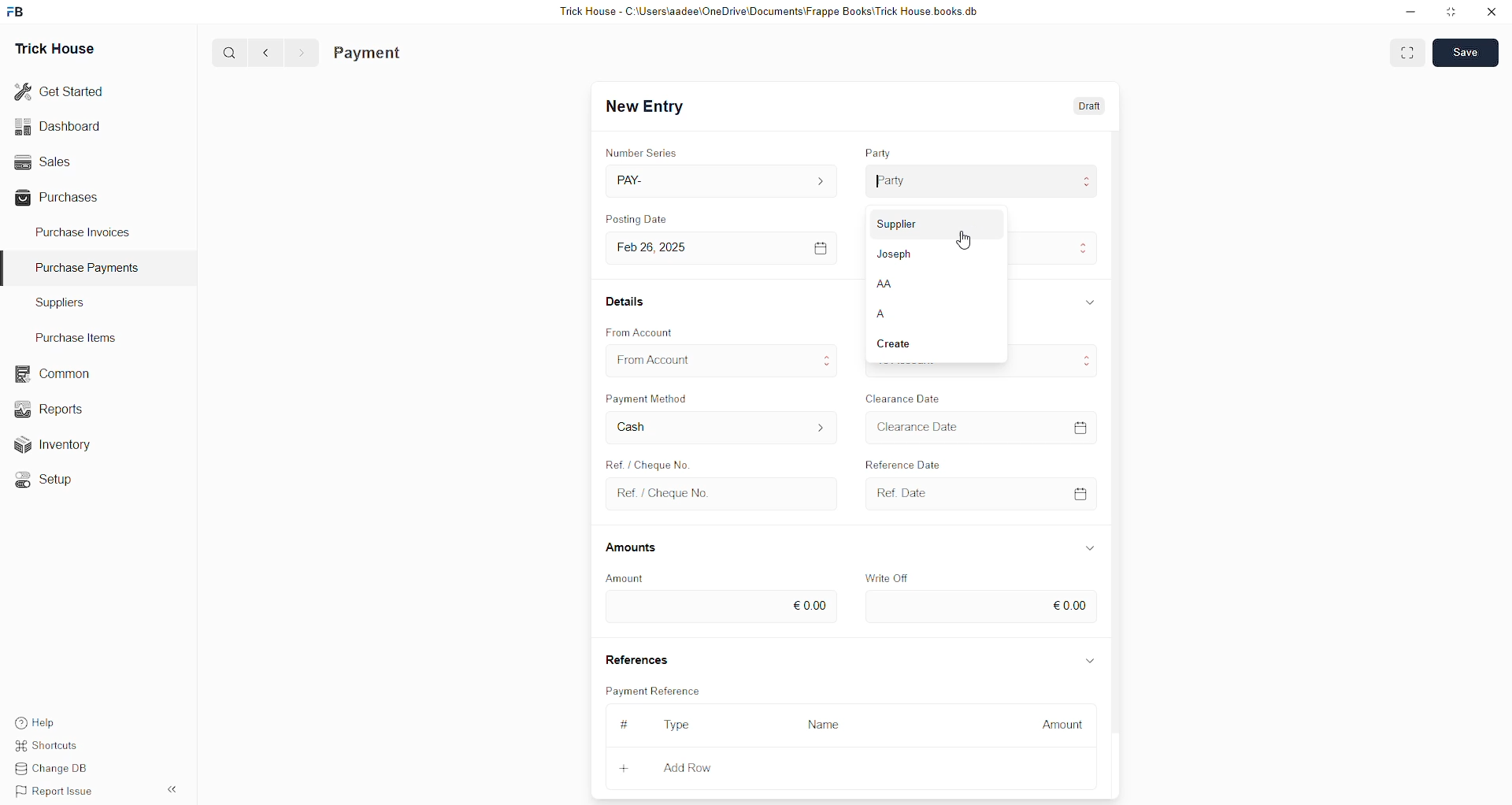 Image resolution: width=1512 pixels, height=805 pixels. What do you see at coordinates (45, 161) in the screenshot?
I see `Sales` at bounding box center [45, 161].